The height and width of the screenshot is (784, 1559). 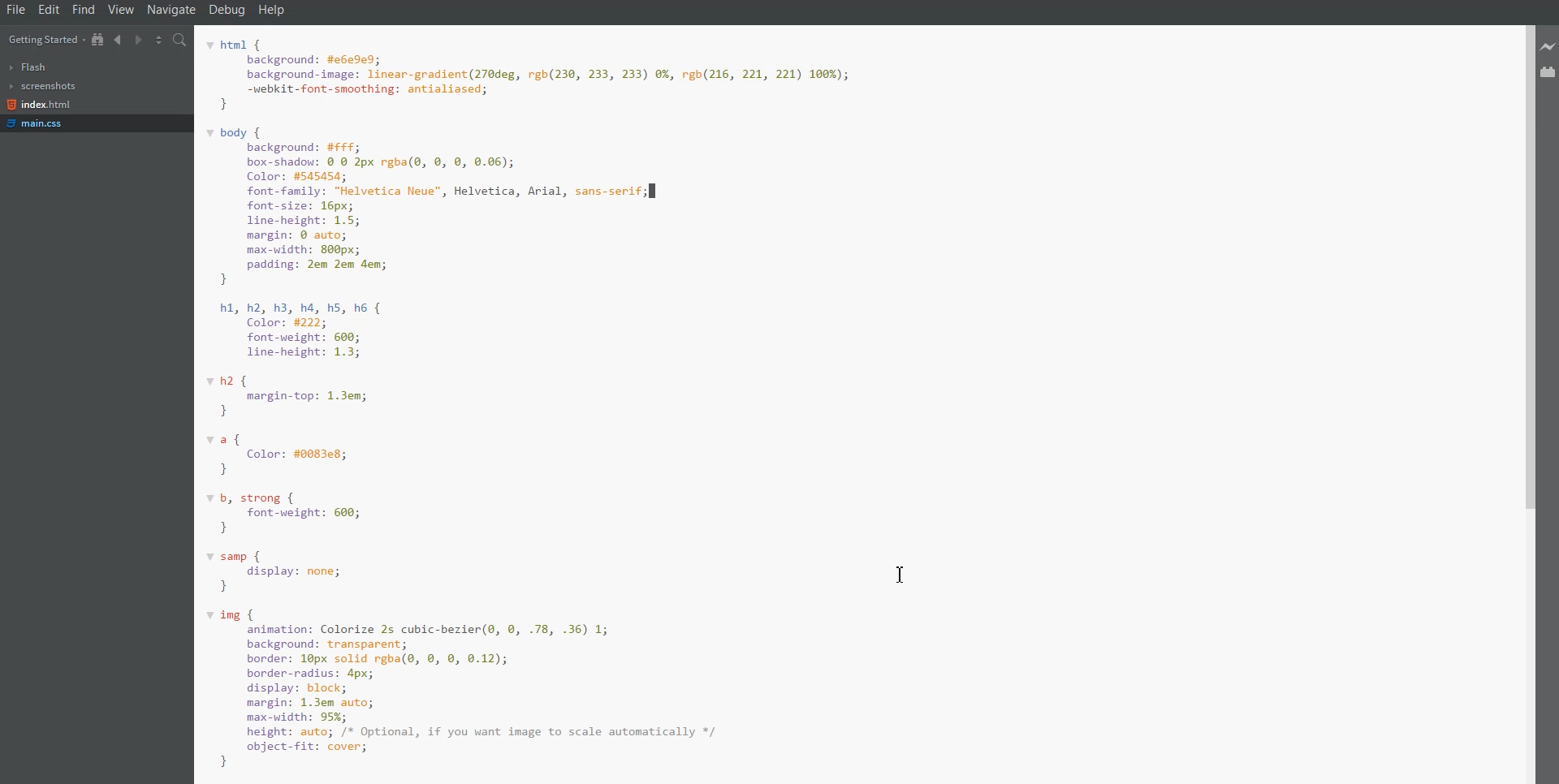 I want to click on Live Preview, so click(x=1549, y=48).